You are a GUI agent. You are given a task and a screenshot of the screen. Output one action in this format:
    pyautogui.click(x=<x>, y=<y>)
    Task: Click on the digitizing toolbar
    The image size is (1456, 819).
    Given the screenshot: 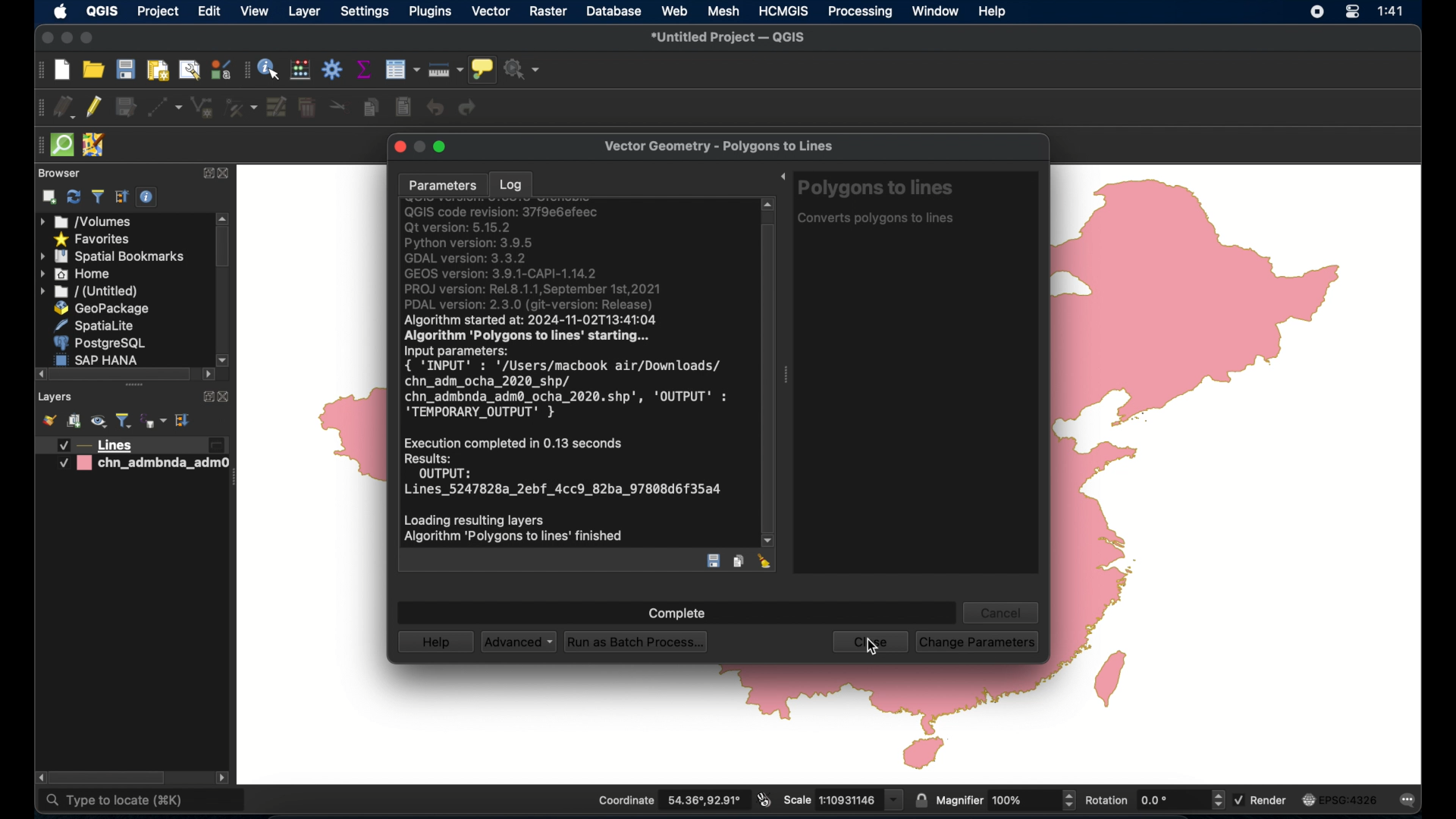 What is the action you would take?
    pyautogui.click(x=40, y=108)
    